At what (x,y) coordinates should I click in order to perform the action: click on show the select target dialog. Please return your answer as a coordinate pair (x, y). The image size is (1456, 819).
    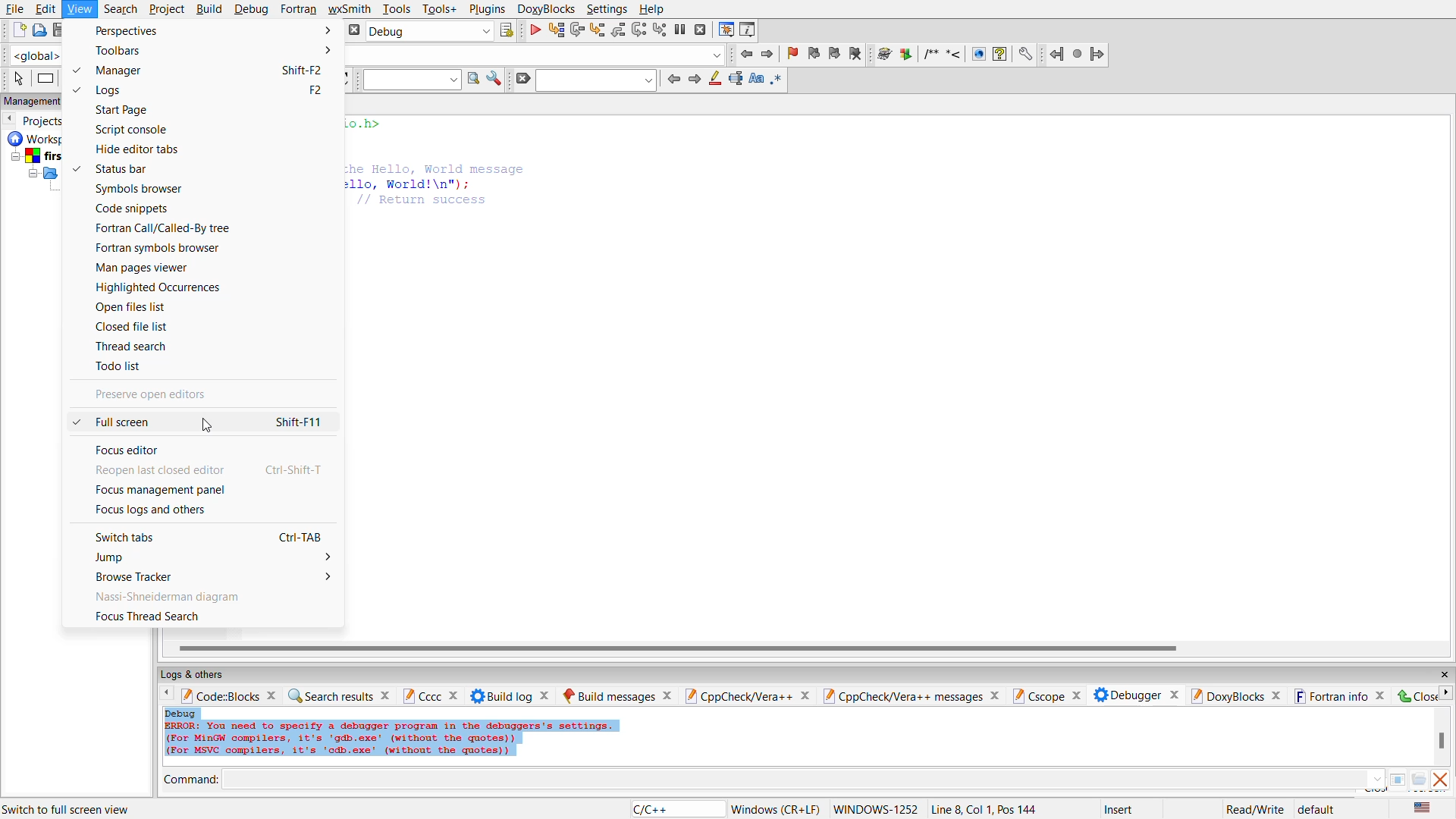
    Looking at the image, I should click on (507, 32).